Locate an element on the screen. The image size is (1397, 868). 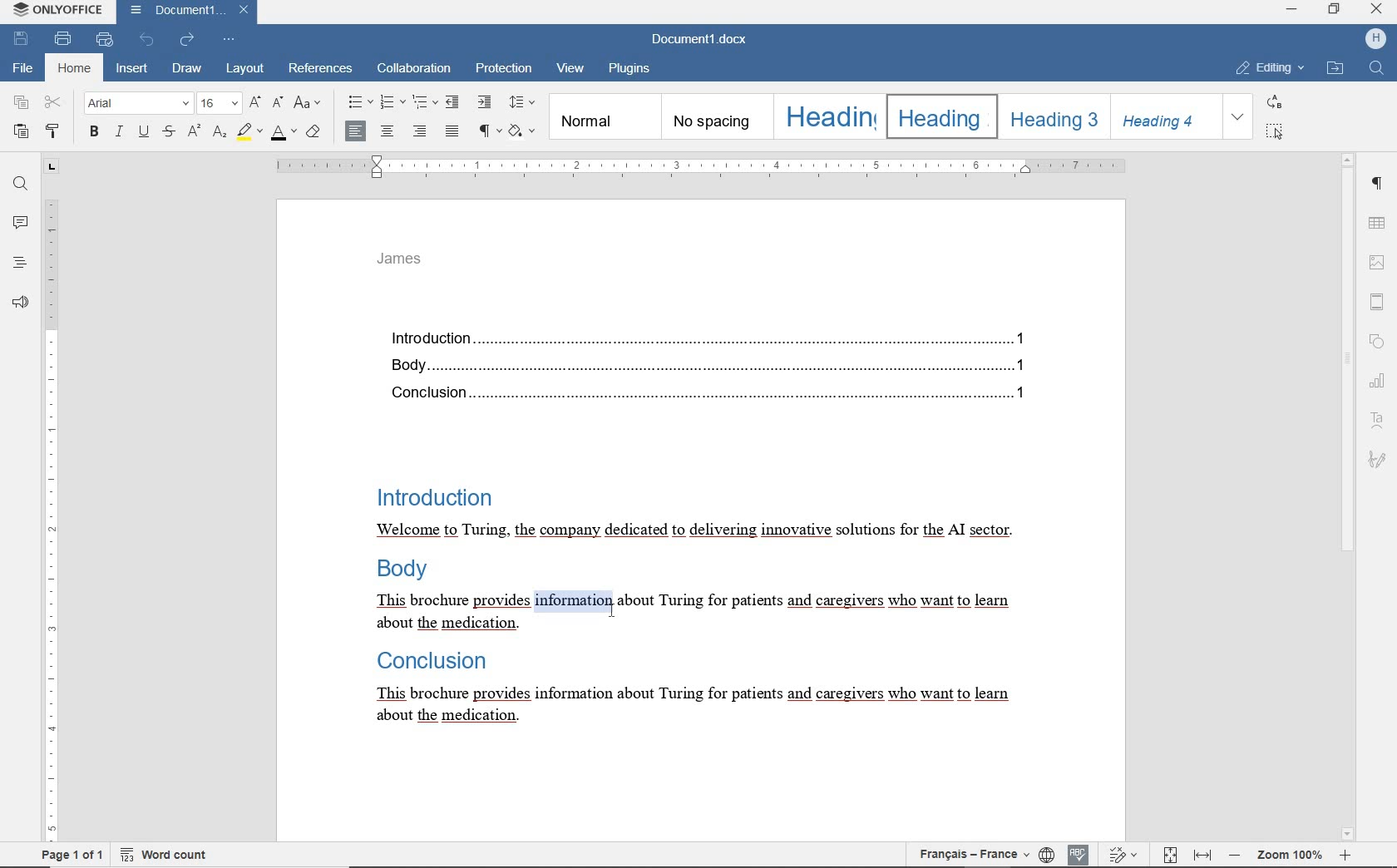
NUMBERING is located at coordinates (391, 103).